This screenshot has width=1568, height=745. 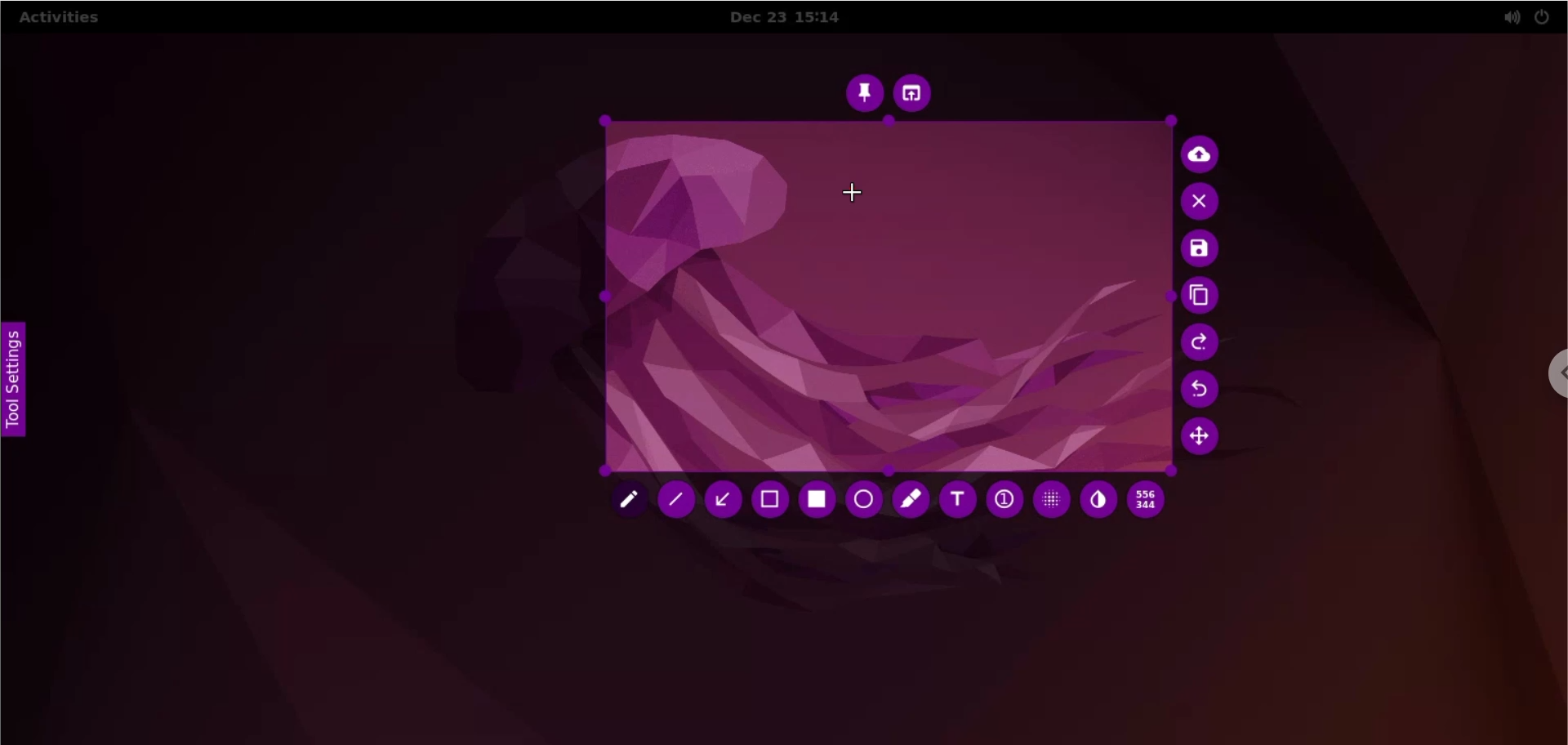 I want to click on marker tool, so click(x=911, y=500).